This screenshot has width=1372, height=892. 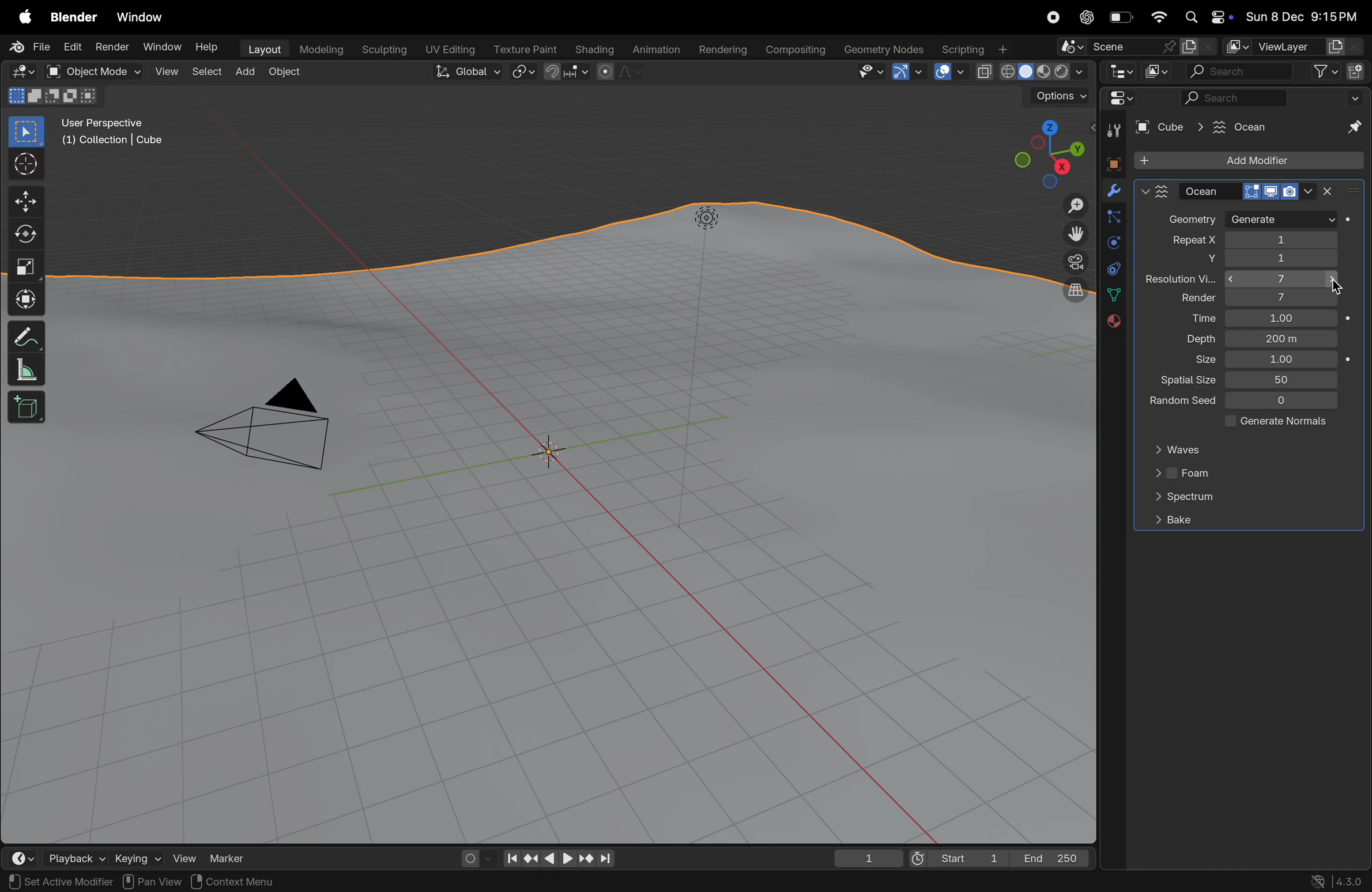 I want to click on 1, so click(x=1282, y=360).